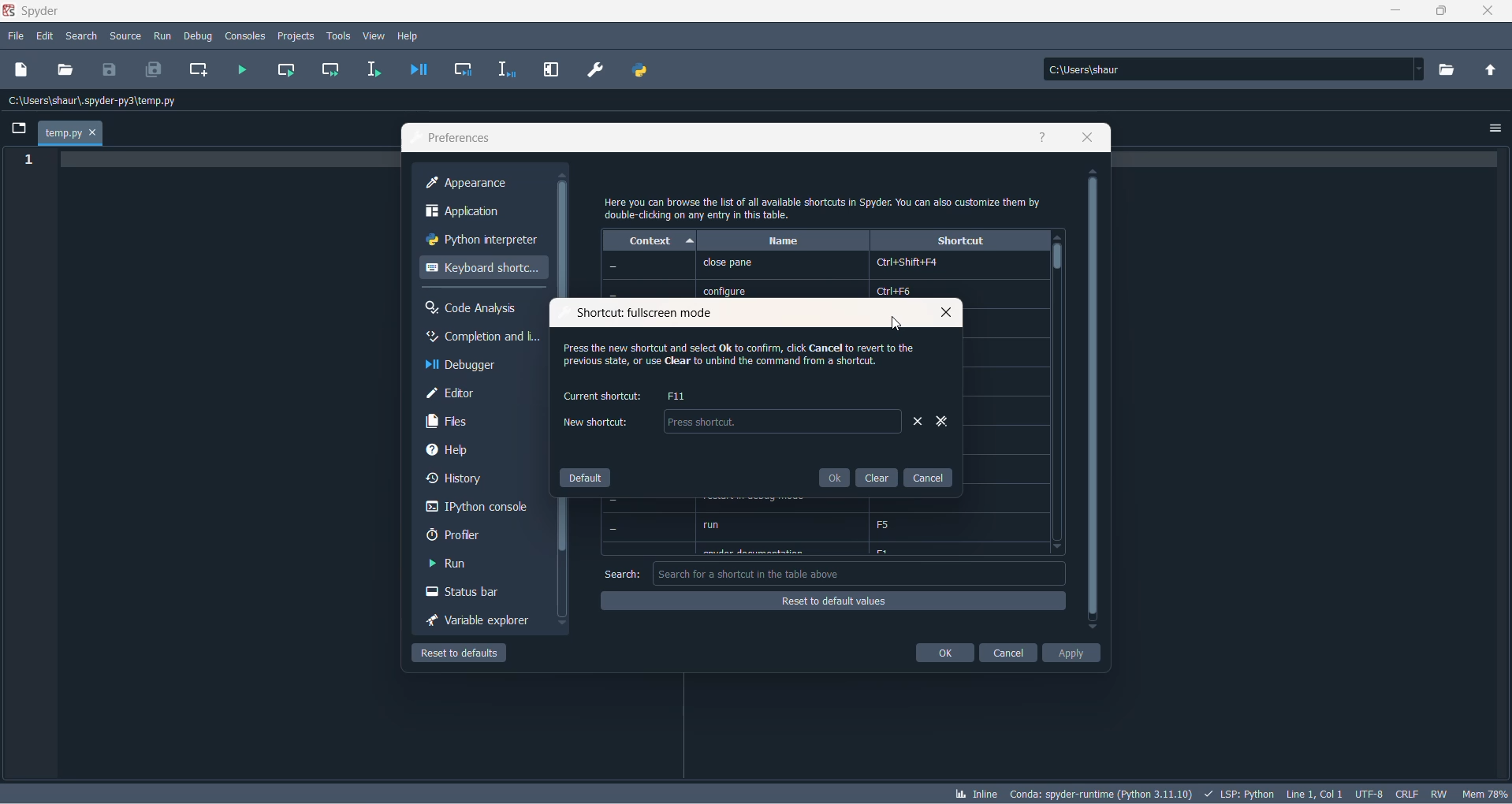 This screenshot has height=804, width=1512. What do you see at coordinates (587, 478) in the screenshot?
I see `default` at bounding box center [587, 478].